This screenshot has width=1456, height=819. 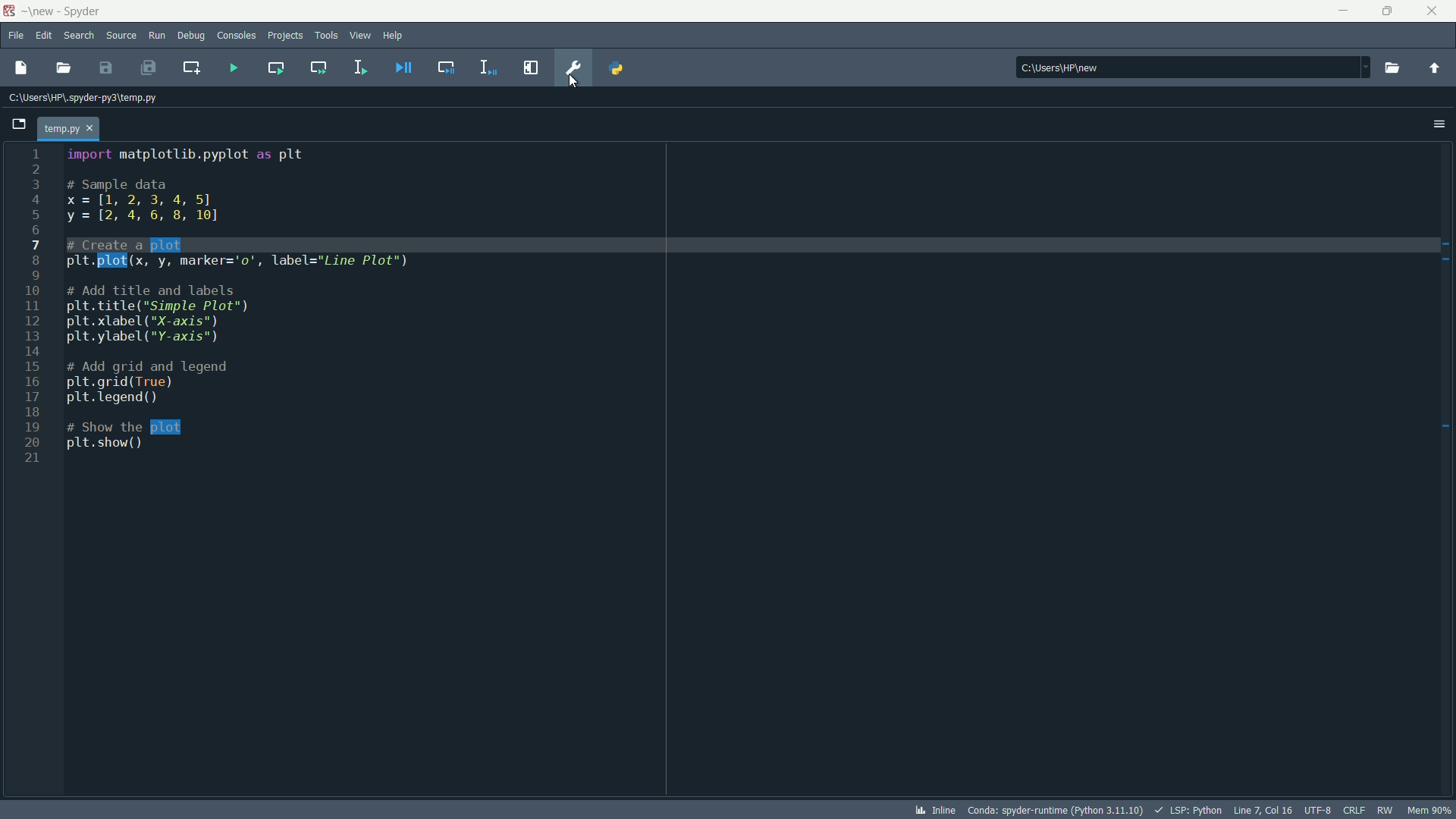 I want to click on tools, so click(x=325, y=35).